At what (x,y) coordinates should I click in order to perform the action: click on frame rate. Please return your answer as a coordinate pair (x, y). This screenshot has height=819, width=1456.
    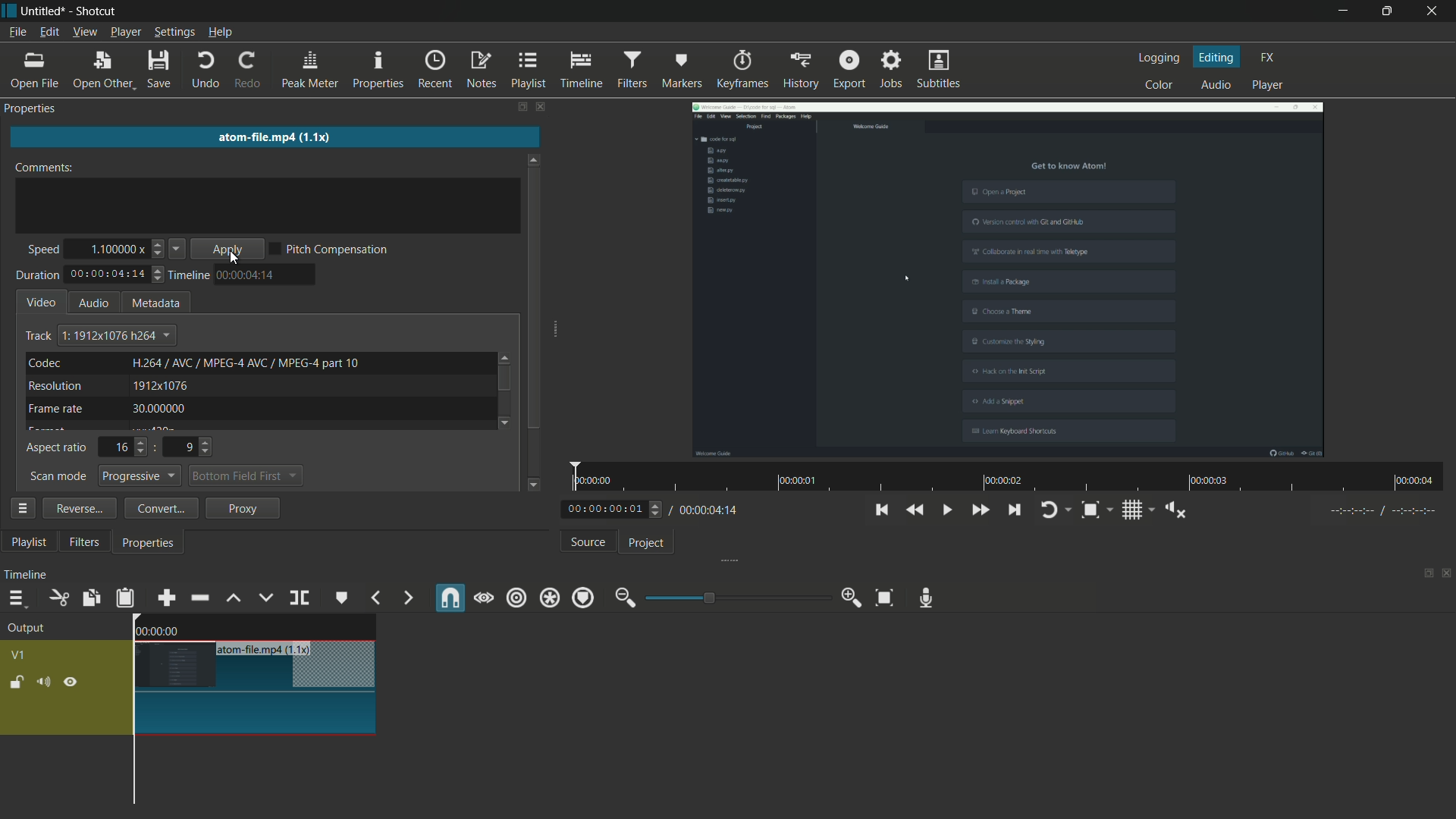
    Looking at the image, I should click on (57, 409).